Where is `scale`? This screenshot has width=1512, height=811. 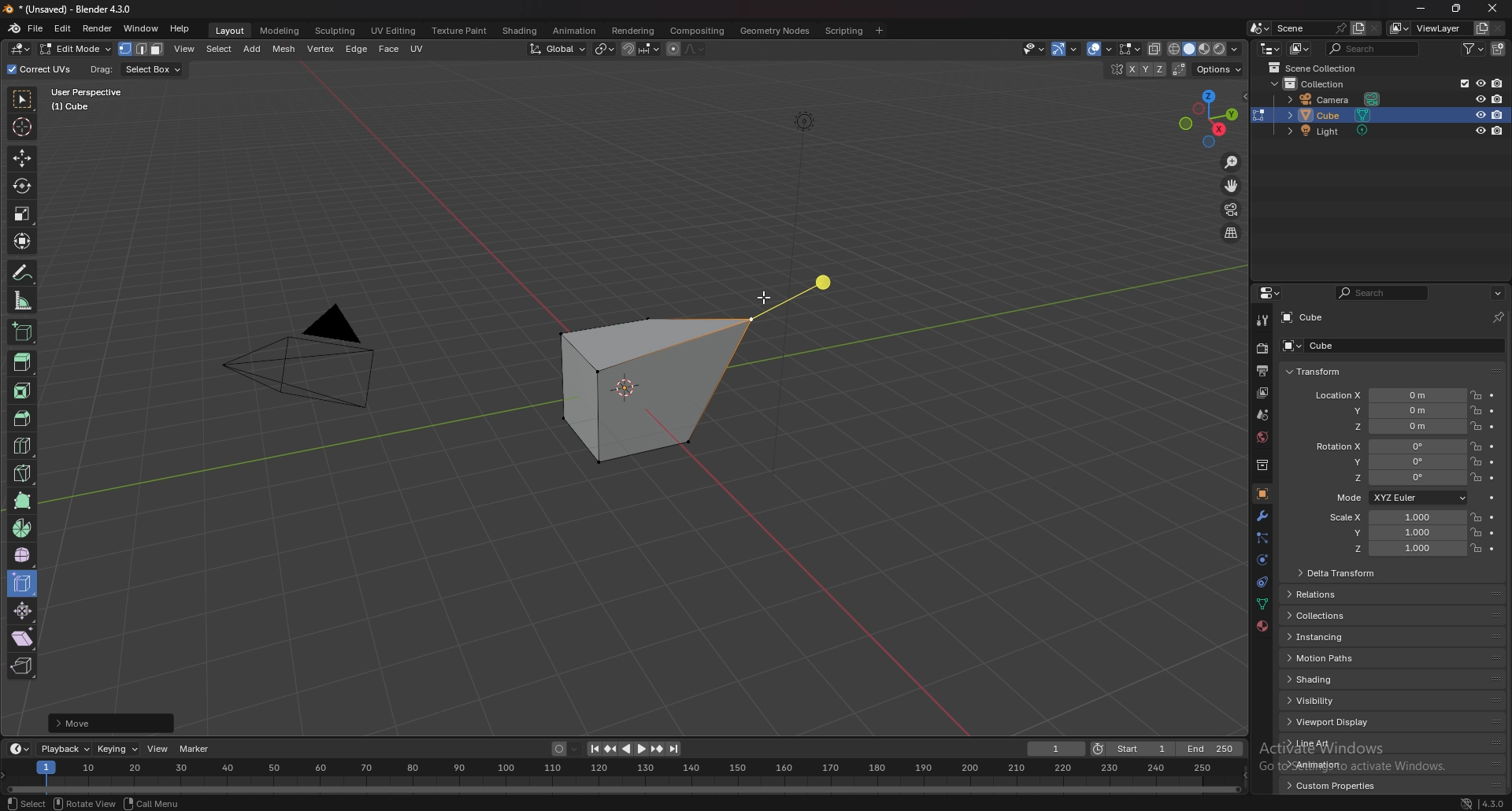
scale is located at coordinates (22, 214).